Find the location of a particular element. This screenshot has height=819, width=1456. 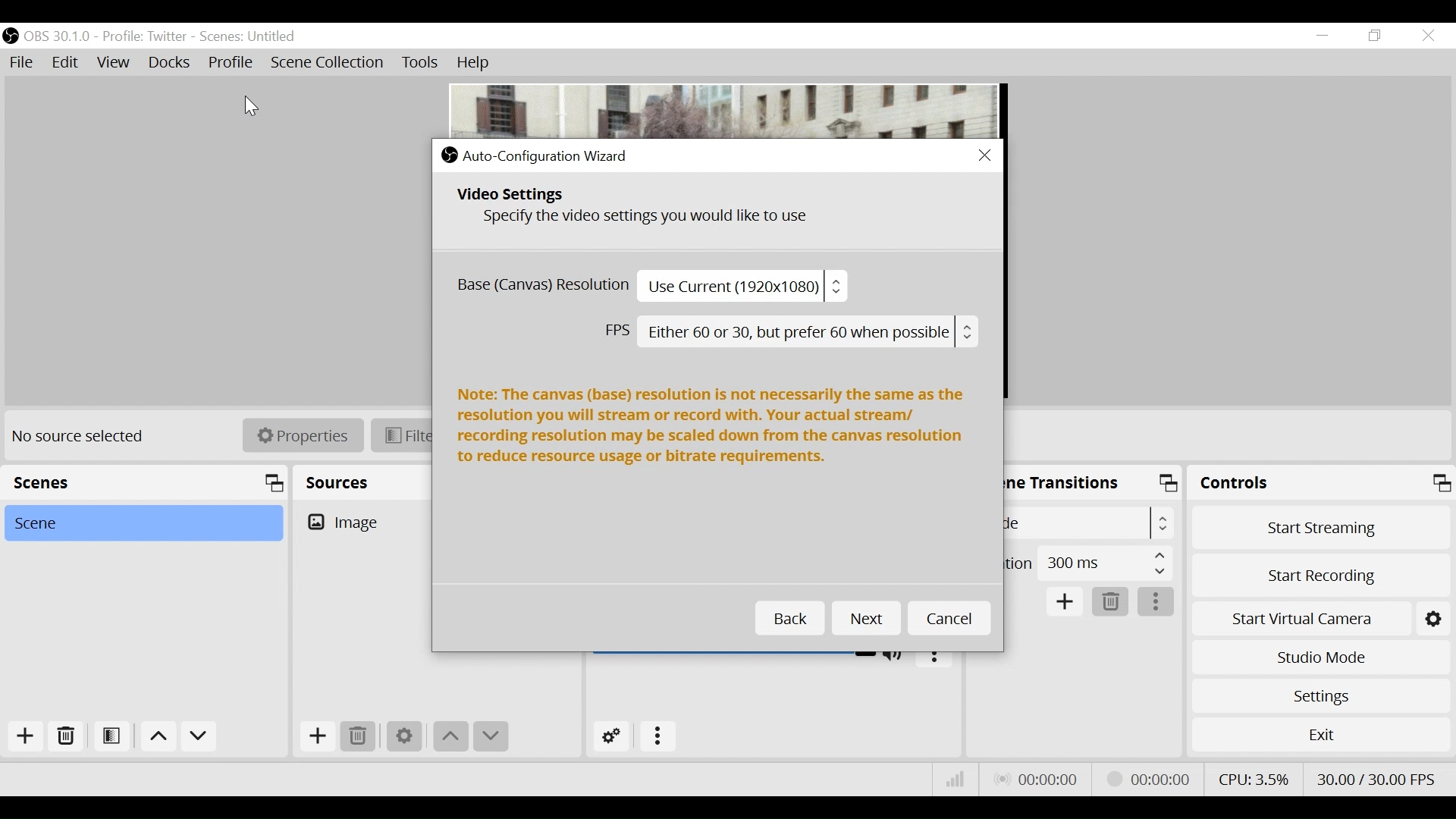

Specify what you want to use the program for is located at coordinates (642, 219).